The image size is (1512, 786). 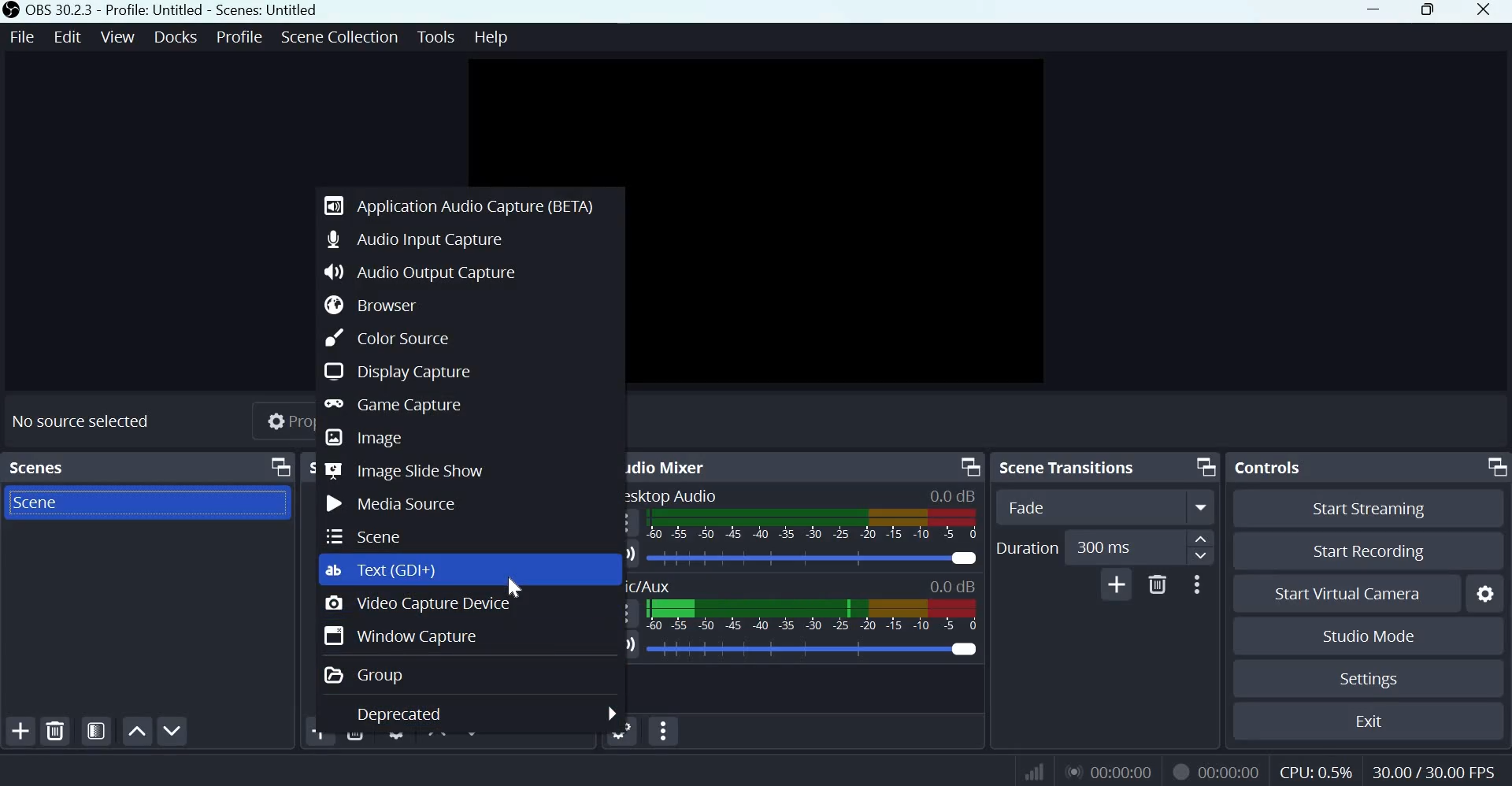 I want to click on Delete Transition, so click(x=1157, y=584).